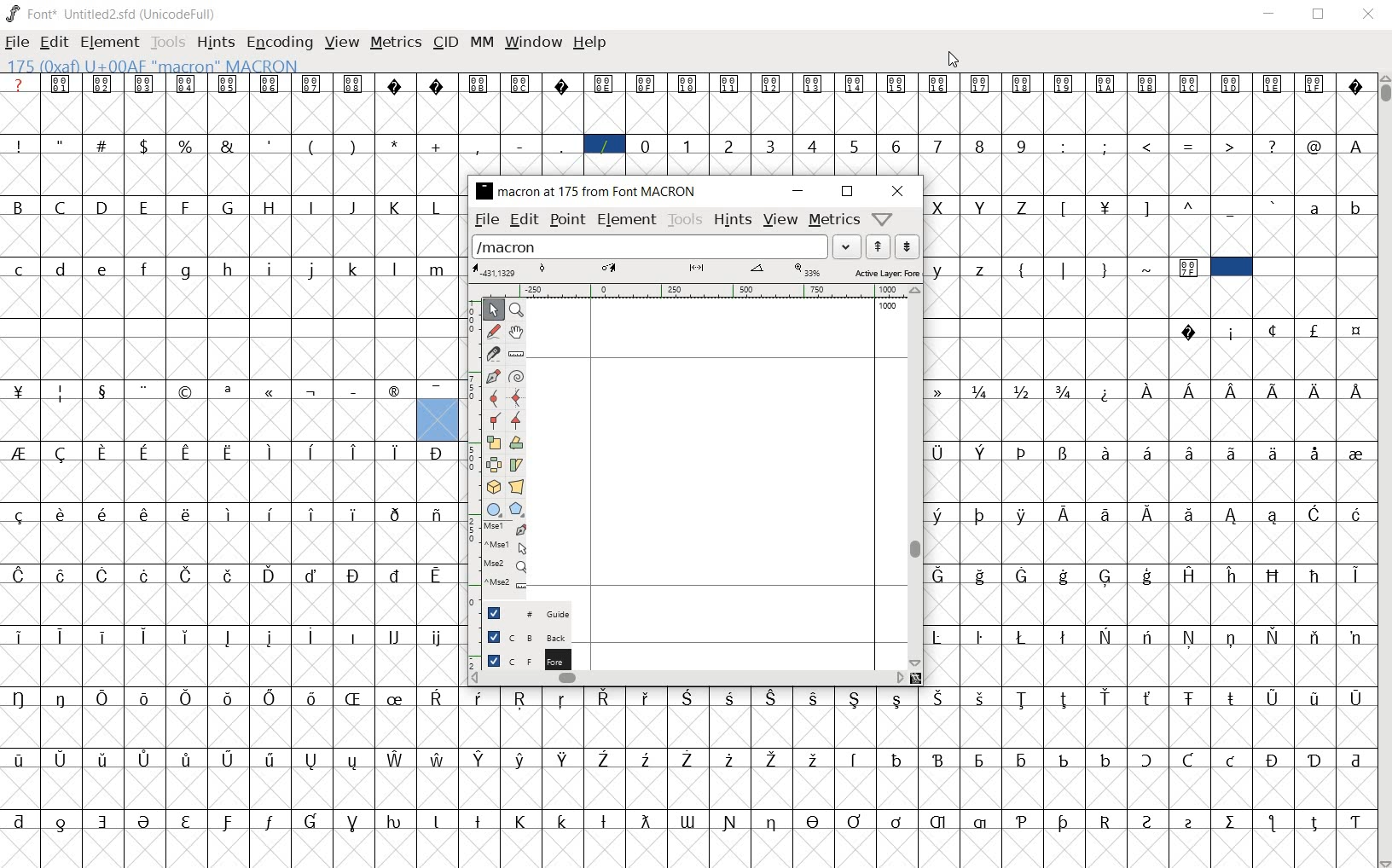 The height and width of the screenshot is (868, 1392). What do you see at coordinates (63, 392) in the screenshot?
I see `Symbol` at bounding box center [63, 392].